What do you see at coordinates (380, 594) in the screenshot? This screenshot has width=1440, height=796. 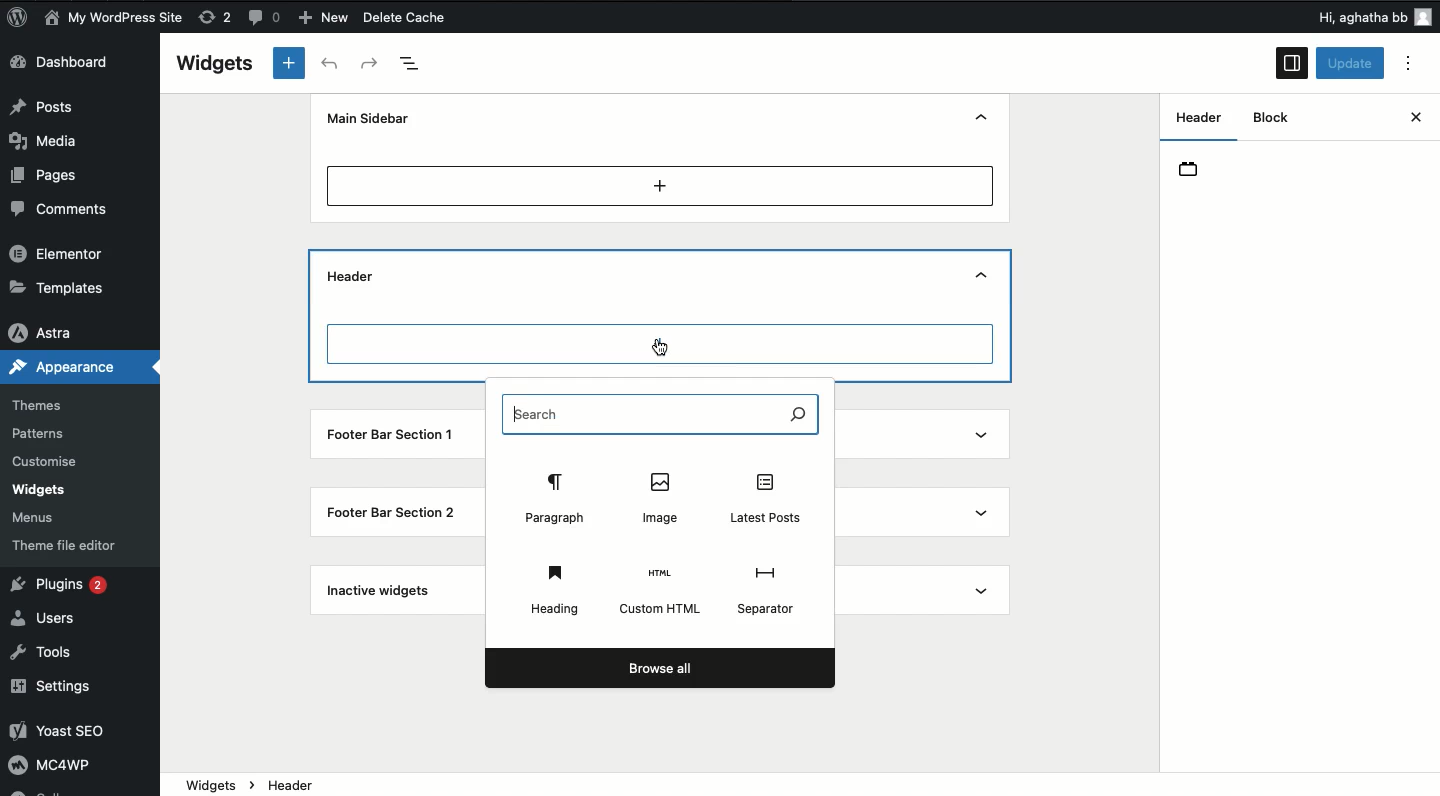 I see `Inactive widgets` at bounding box center [380, 594].